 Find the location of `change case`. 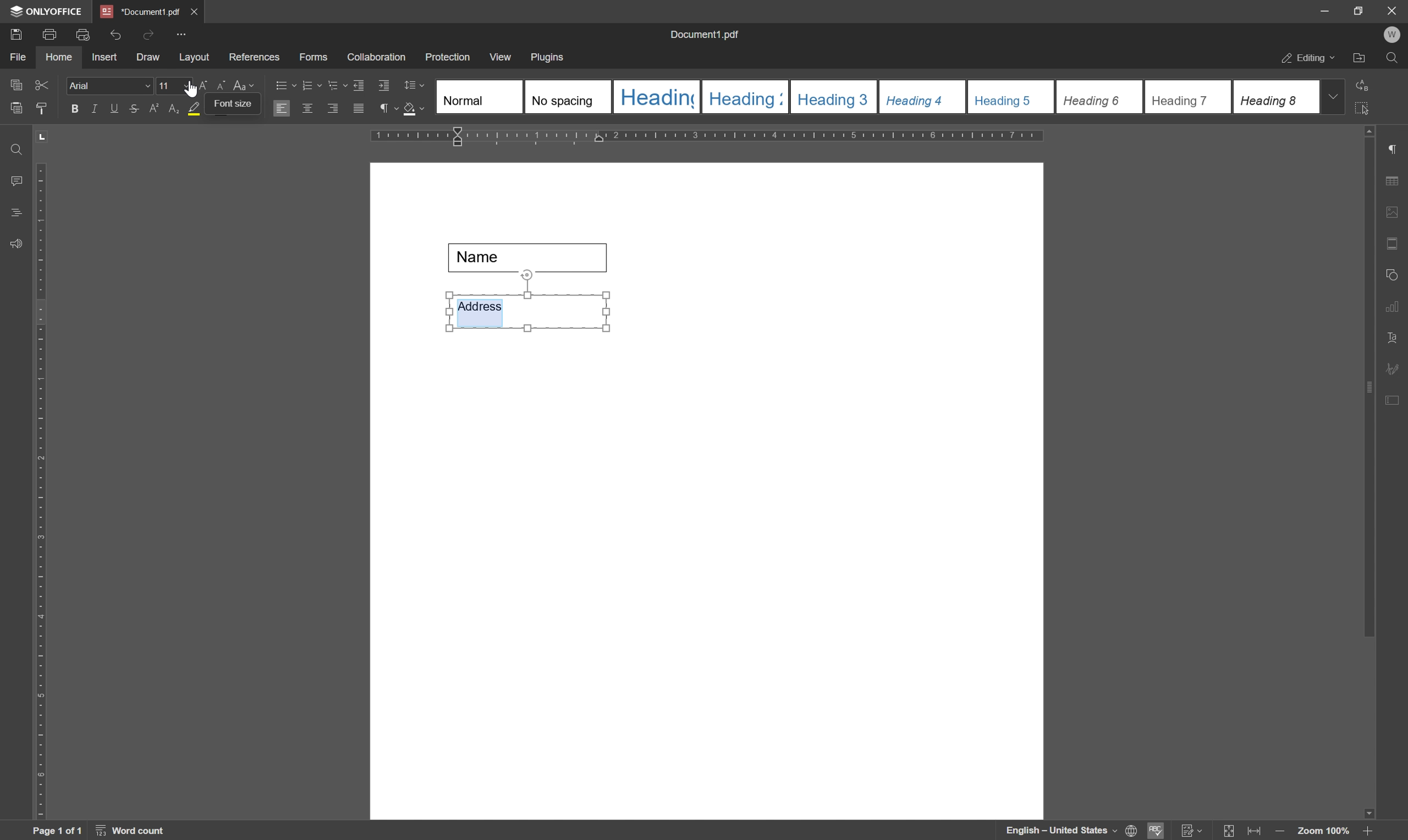

change case is located at coordinates (246, 84).